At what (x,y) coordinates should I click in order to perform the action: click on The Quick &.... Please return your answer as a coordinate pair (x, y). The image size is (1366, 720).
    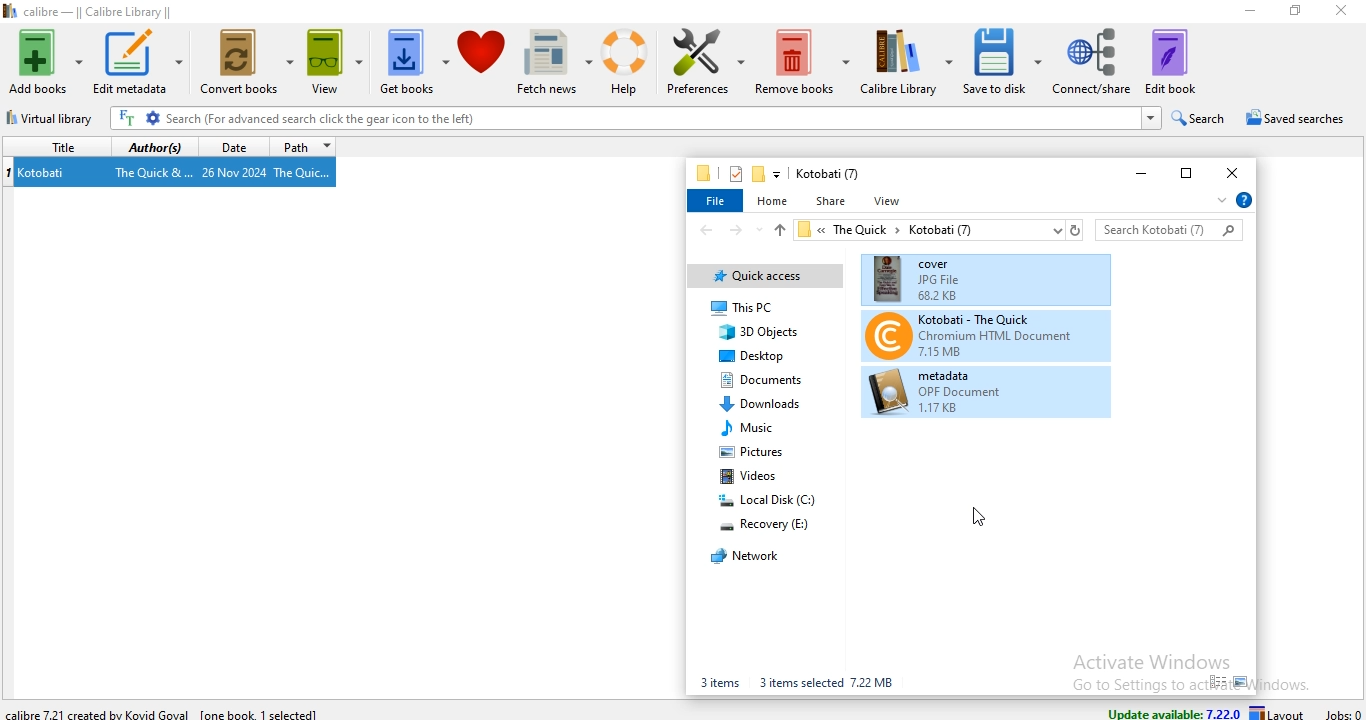
    Looking at the image, I should click on (152, 173).